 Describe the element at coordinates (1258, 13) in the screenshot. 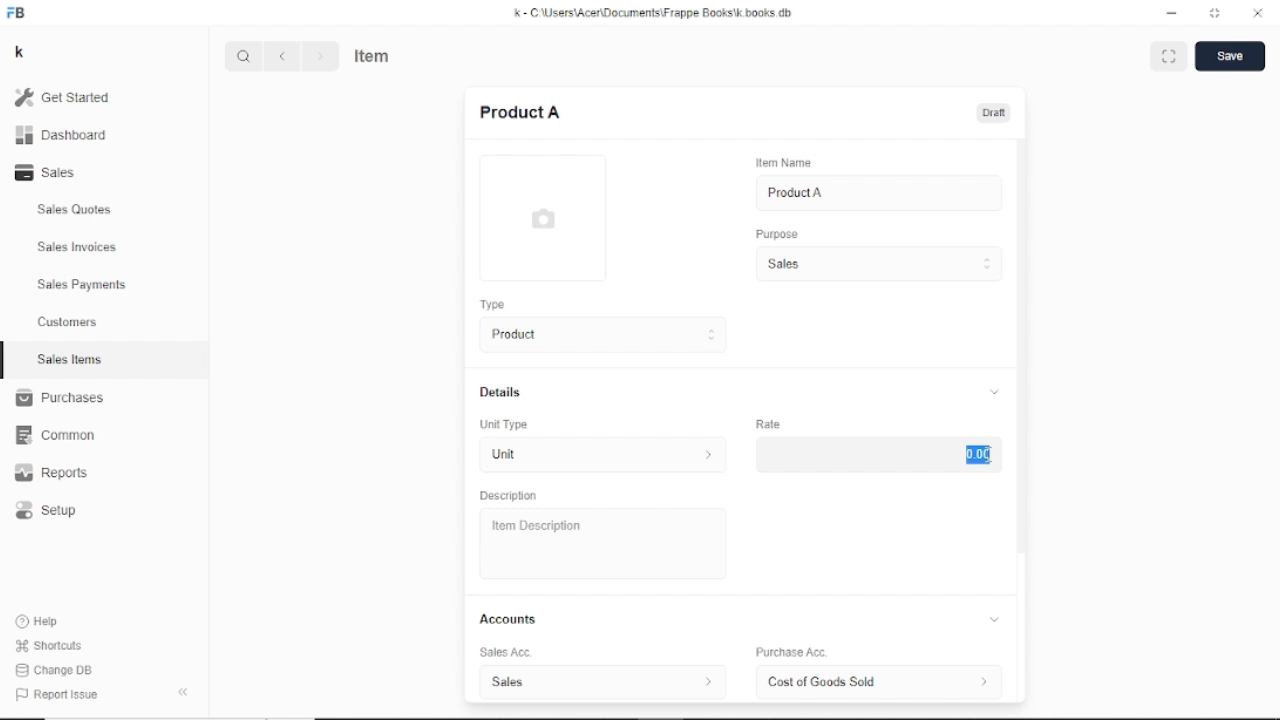

I see `Close` at that location.